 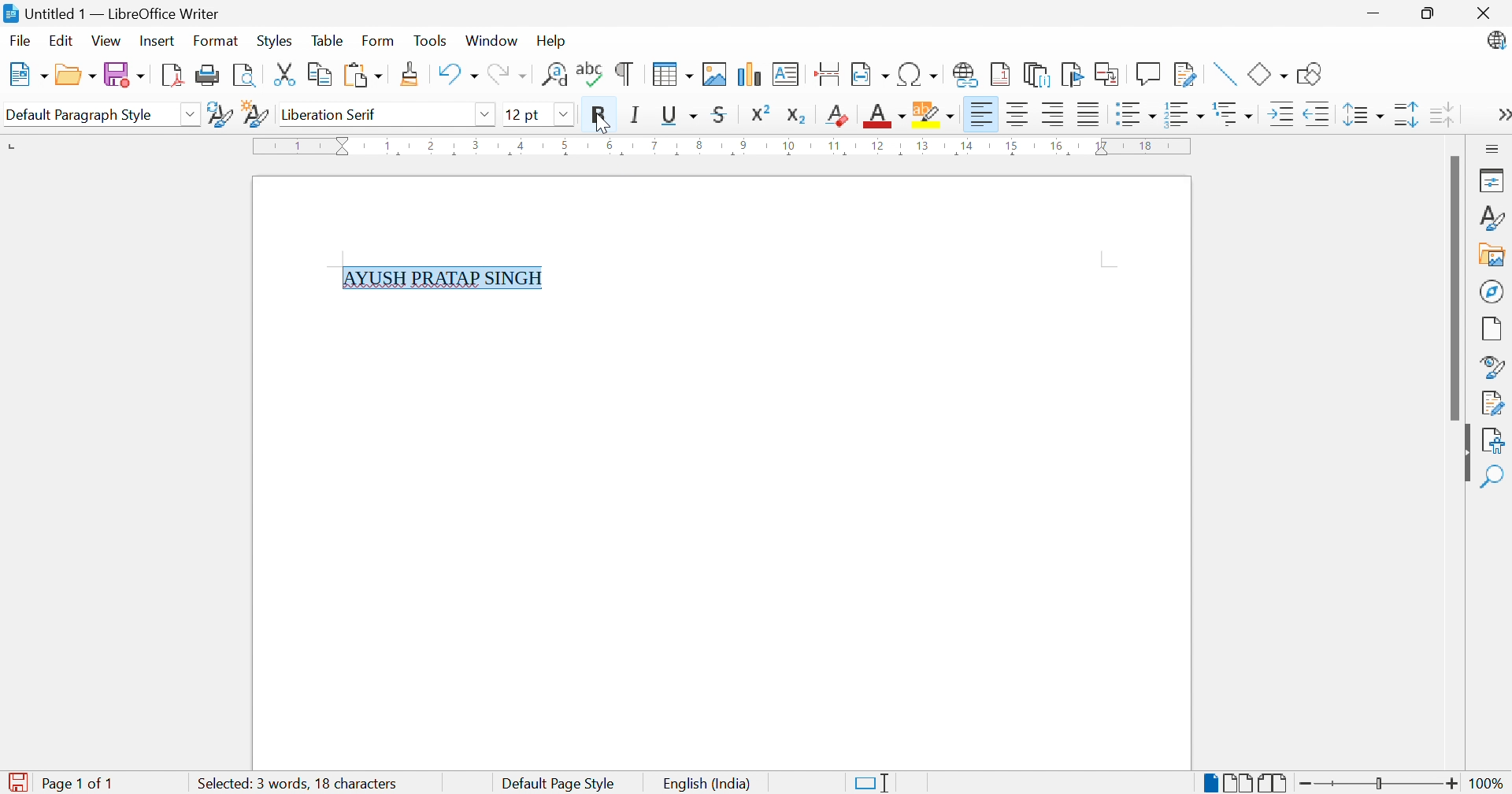 What do you see at coordinates (362, 74) in the screenshot?
I see `Paste` at bounding box center [362, 74].